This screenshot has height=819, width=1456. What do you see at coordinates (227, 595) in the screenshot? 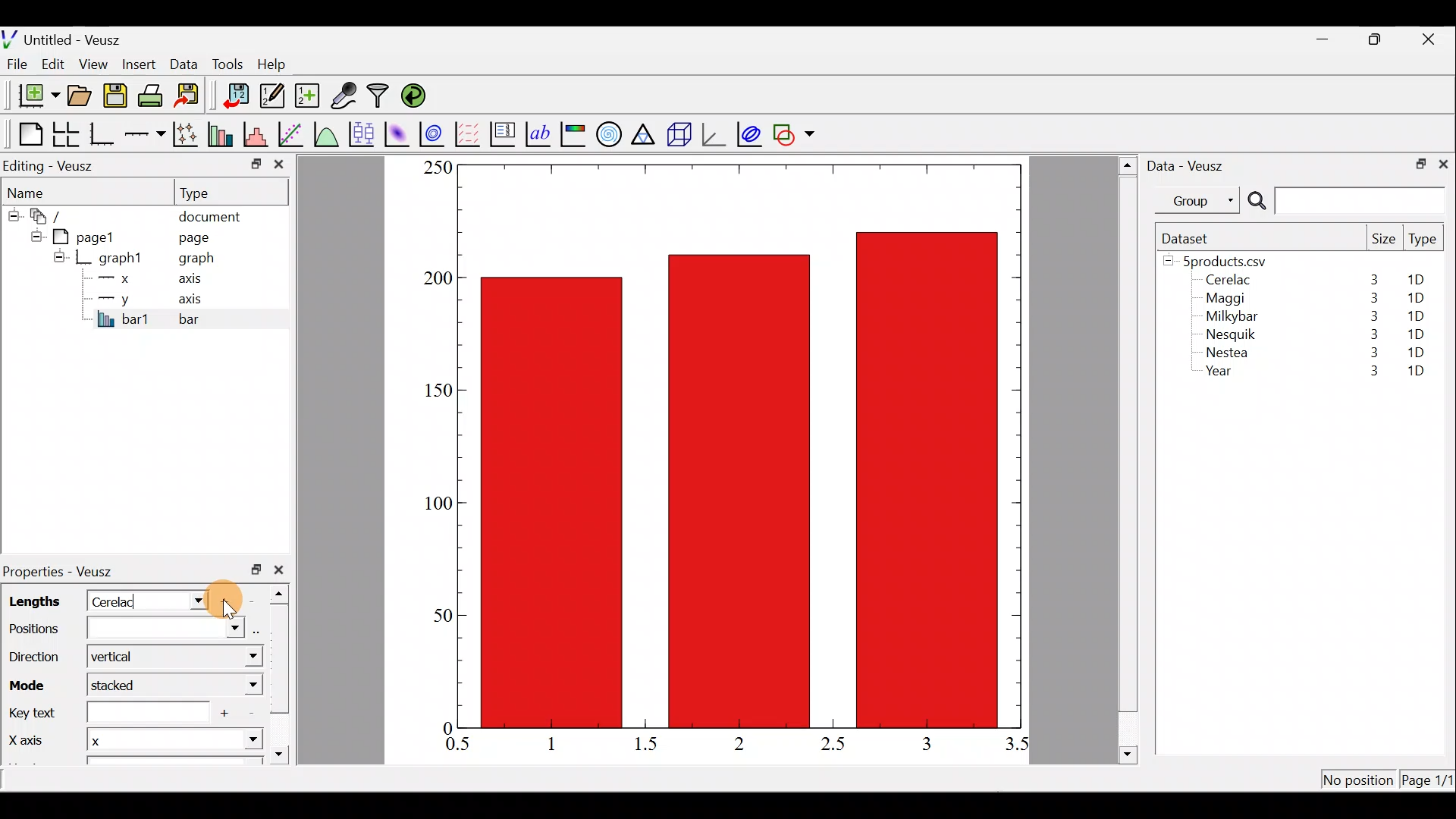
I see `Cursor` at bounding box center [227, 595].